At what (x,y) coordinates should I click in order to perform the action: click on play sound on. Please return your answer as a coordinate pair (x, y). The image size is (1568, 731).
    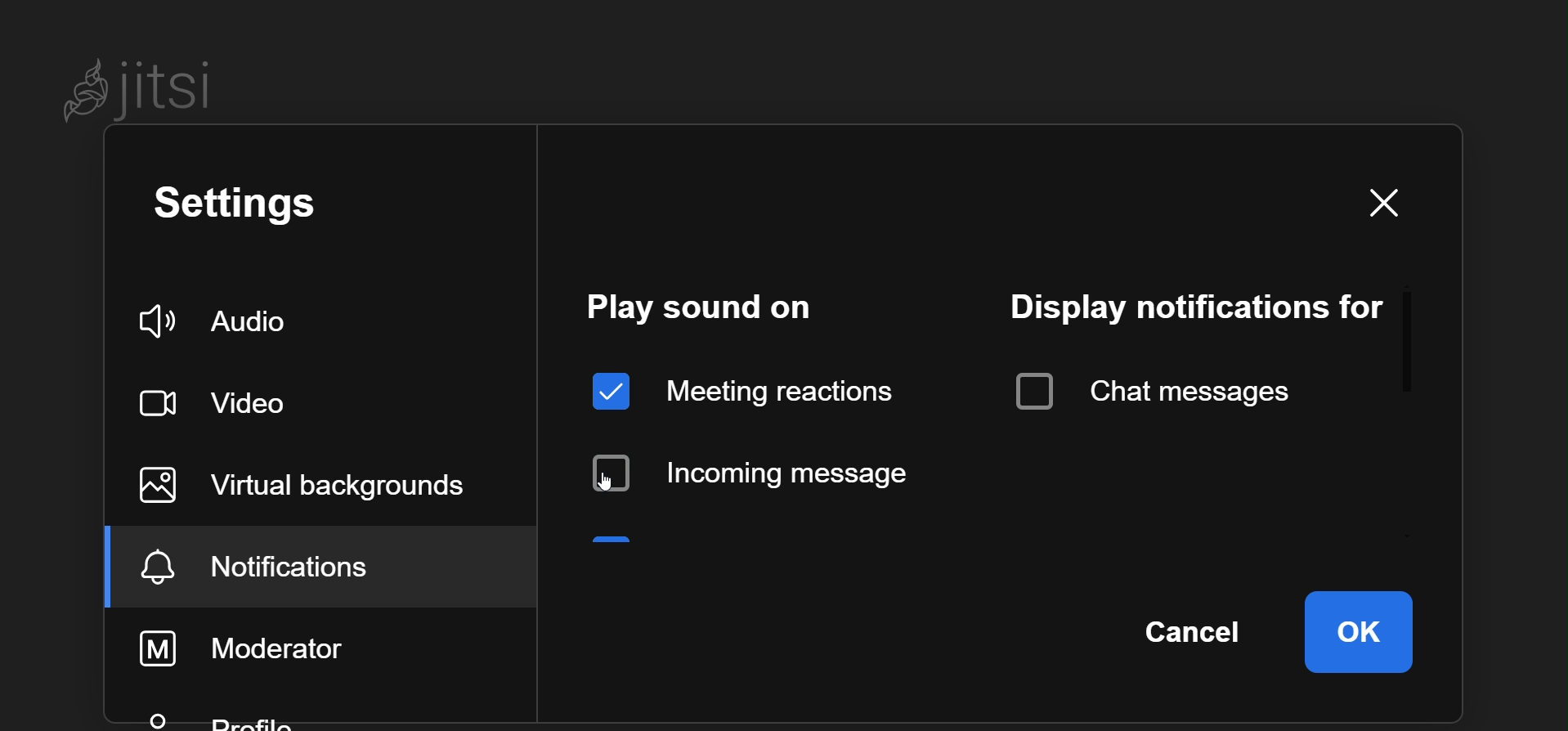
    Looking at the image, I should click on (701, 309).